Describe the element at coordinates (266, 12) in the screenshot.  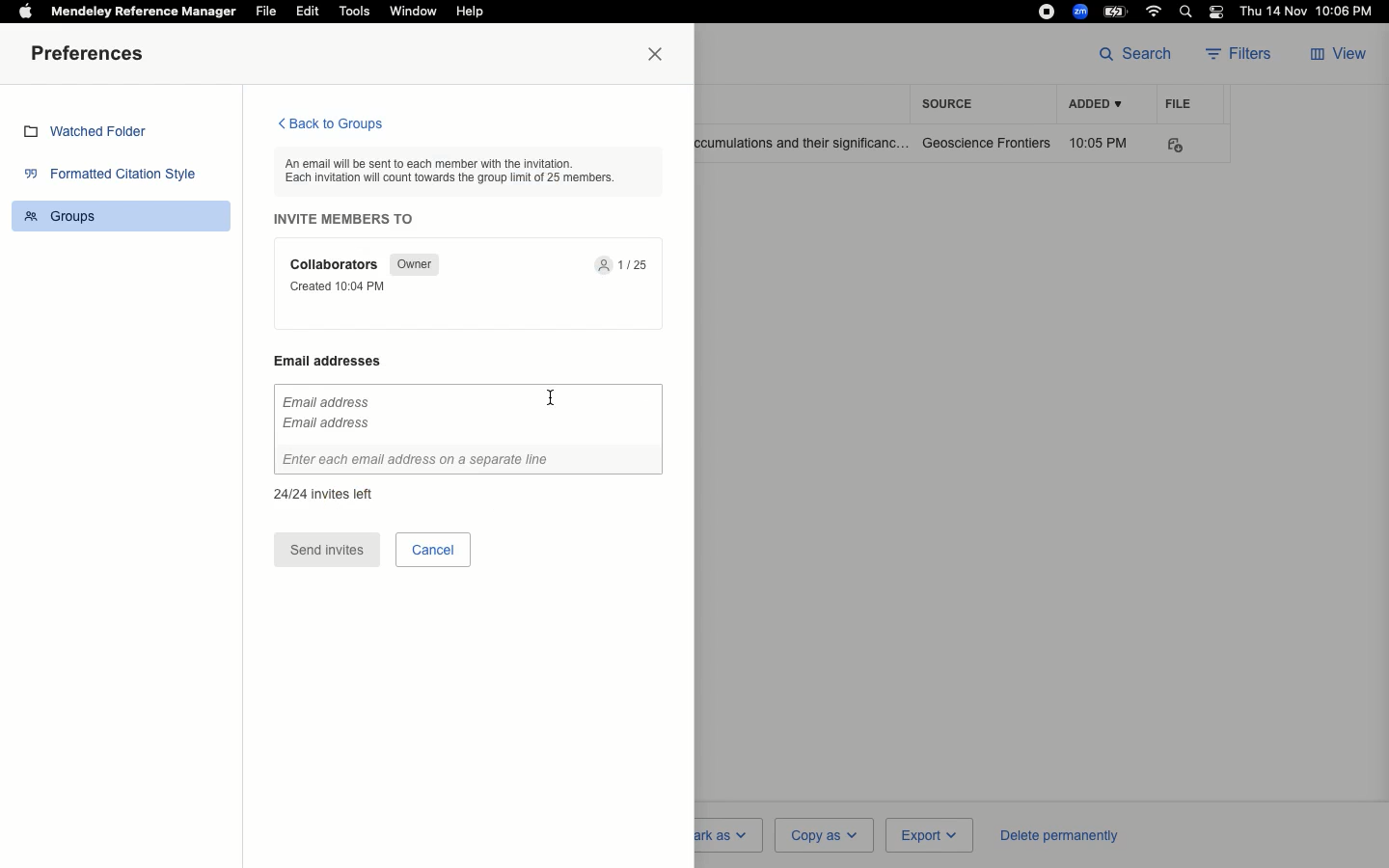
I see `File` at that location.